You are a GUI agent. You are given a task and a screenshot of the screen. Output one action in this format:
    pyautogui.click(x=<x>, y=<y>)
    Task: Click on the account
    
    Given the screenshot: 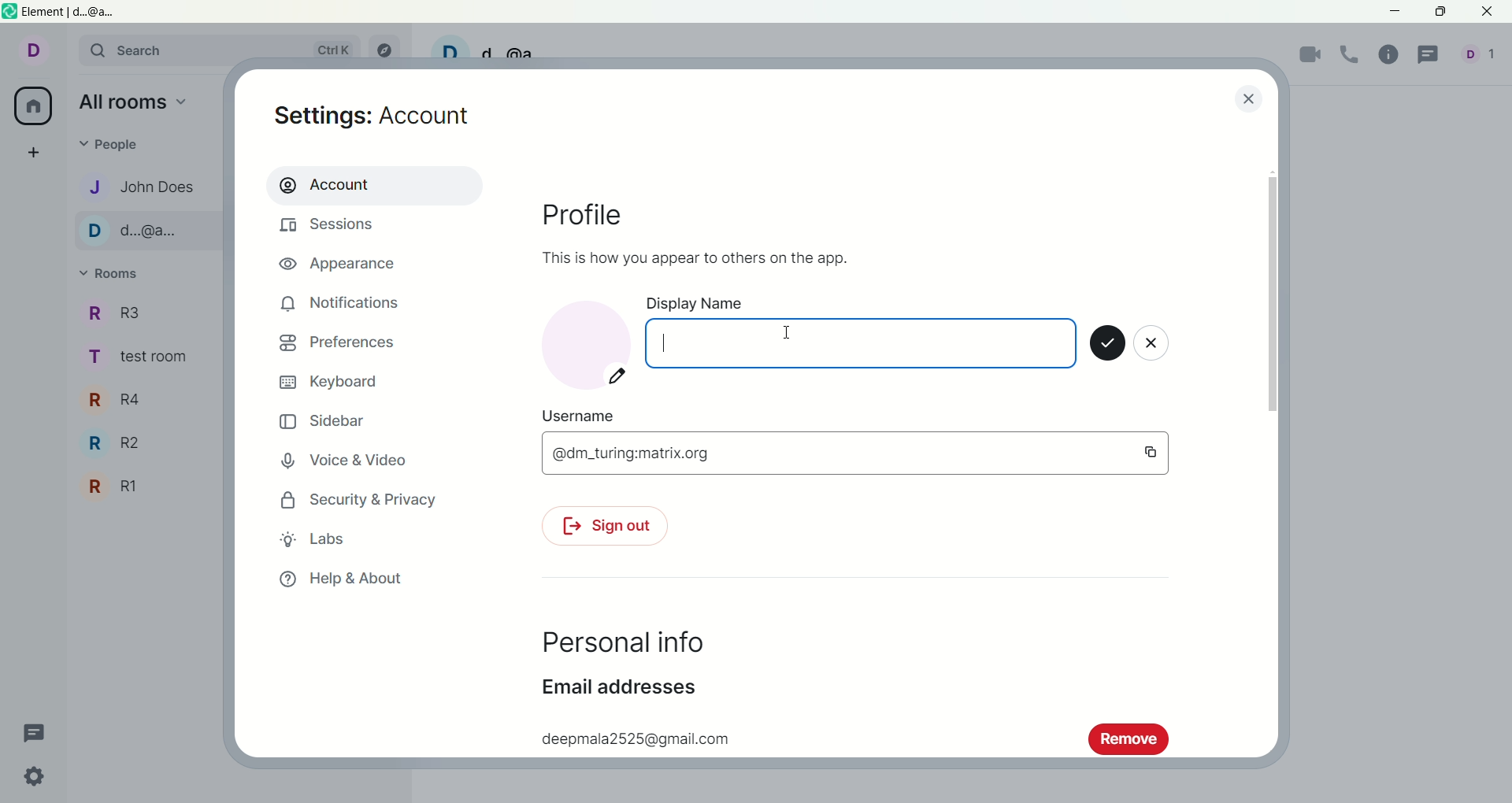 What is the action you would take?
    pyautogui.click(x=372, y=184)
    